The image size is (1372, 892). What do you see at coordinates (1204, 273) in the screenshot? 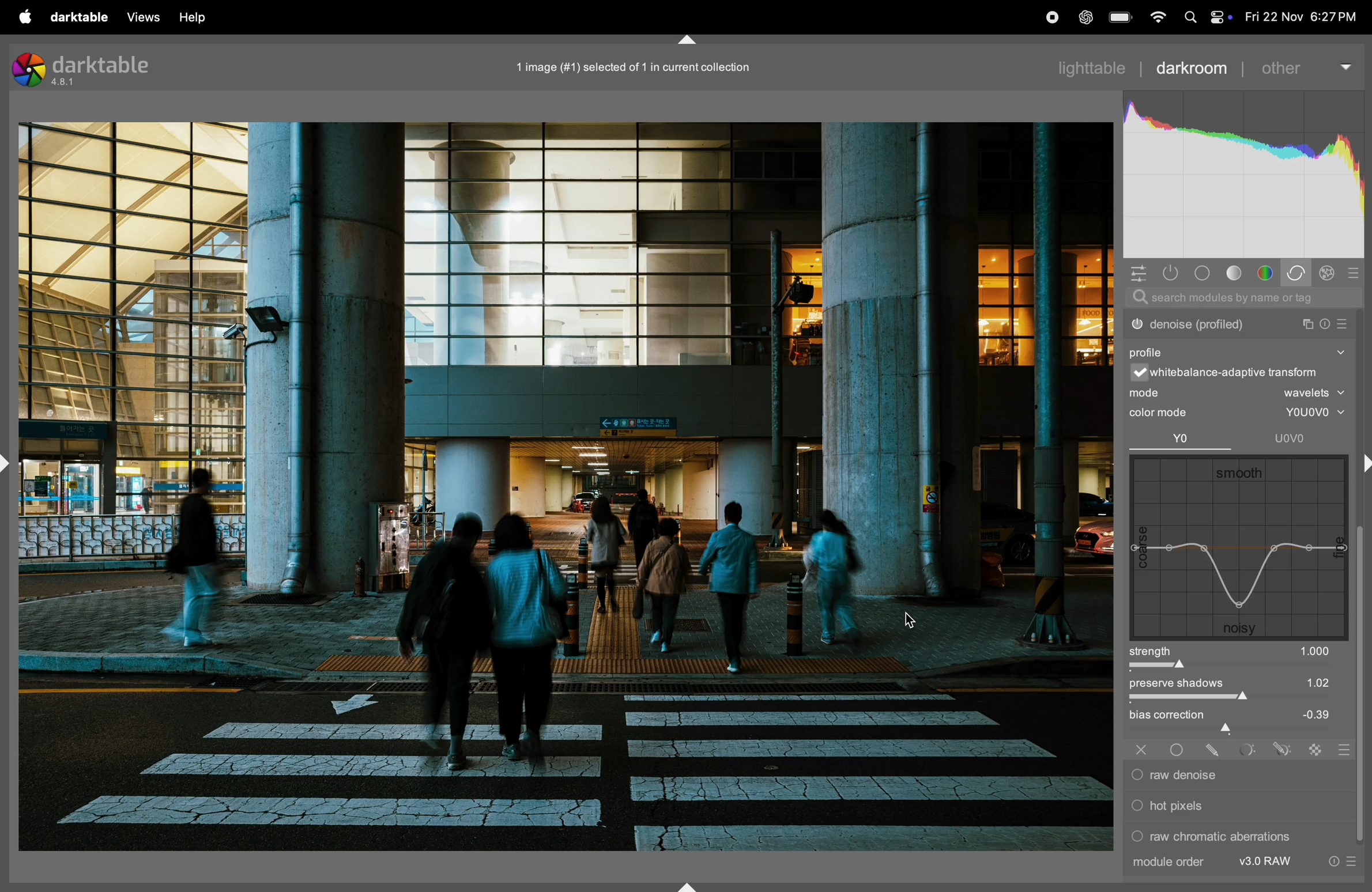
I see `tone` at bounding box center [1204, 273].